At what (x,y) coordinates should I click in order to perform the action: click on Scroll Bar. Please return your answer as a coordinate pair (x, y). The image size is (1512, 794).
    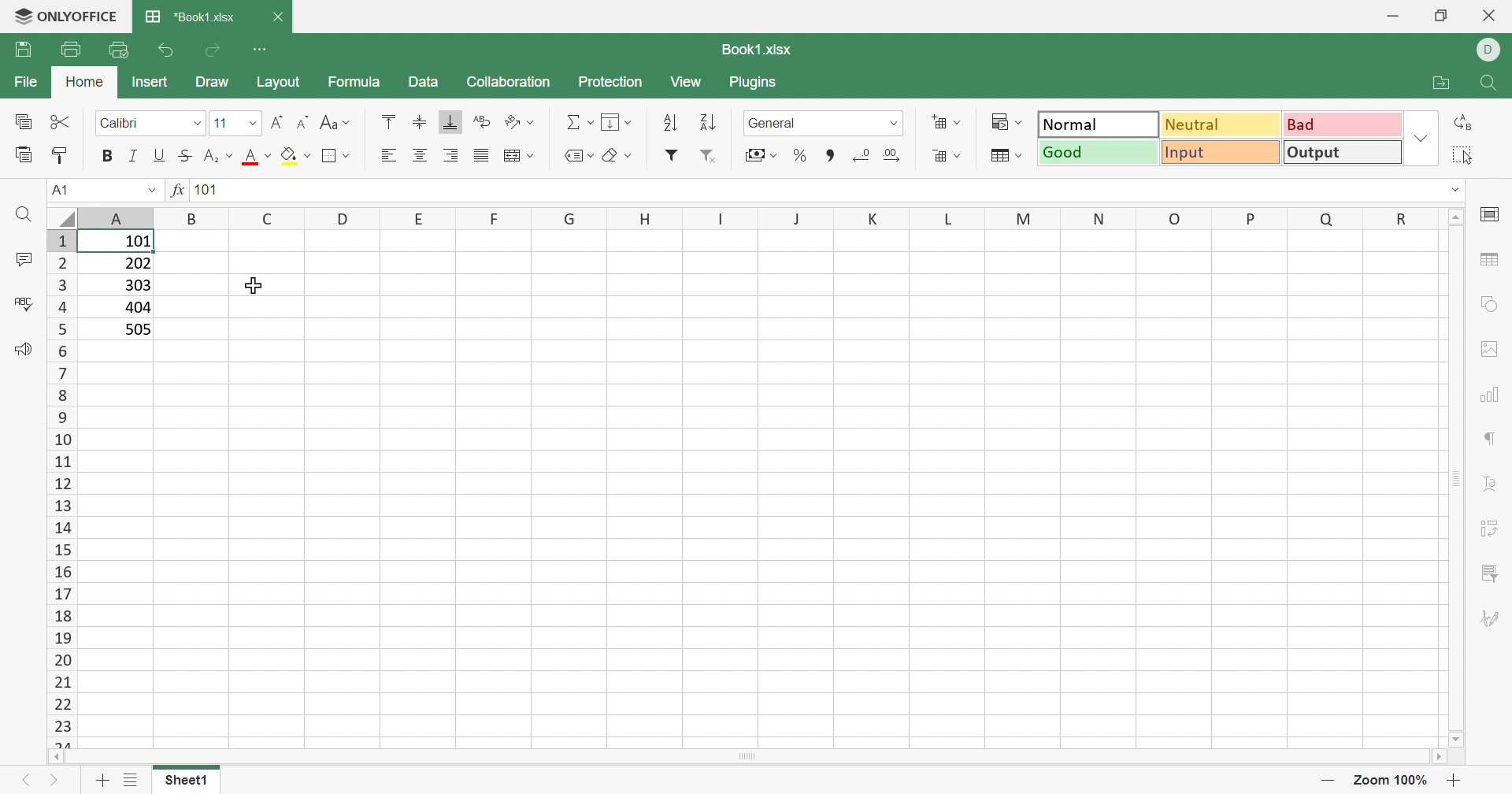
    Looking at the image, I should click on (752, 762).